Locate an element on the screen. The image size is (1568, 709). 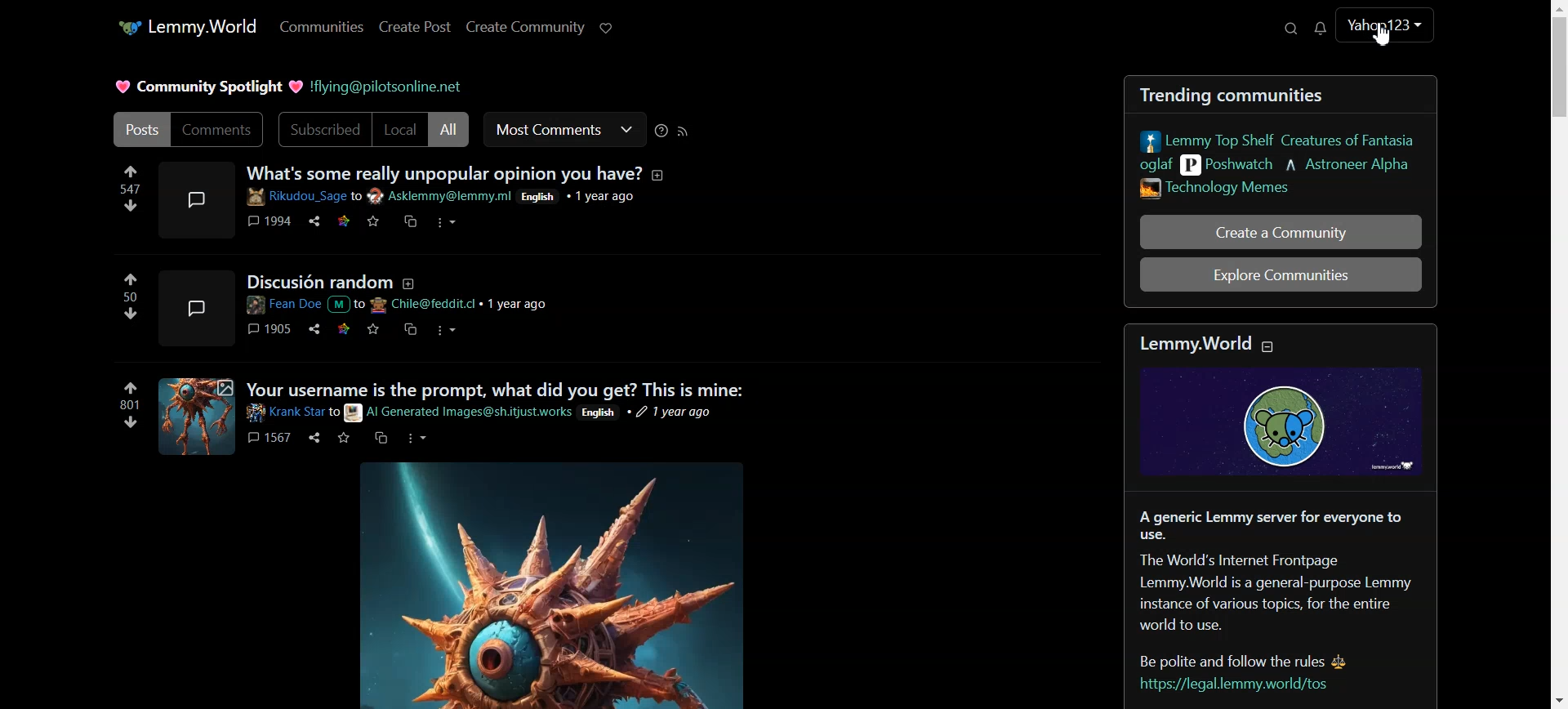
Text is located at coordinates (206, 85).